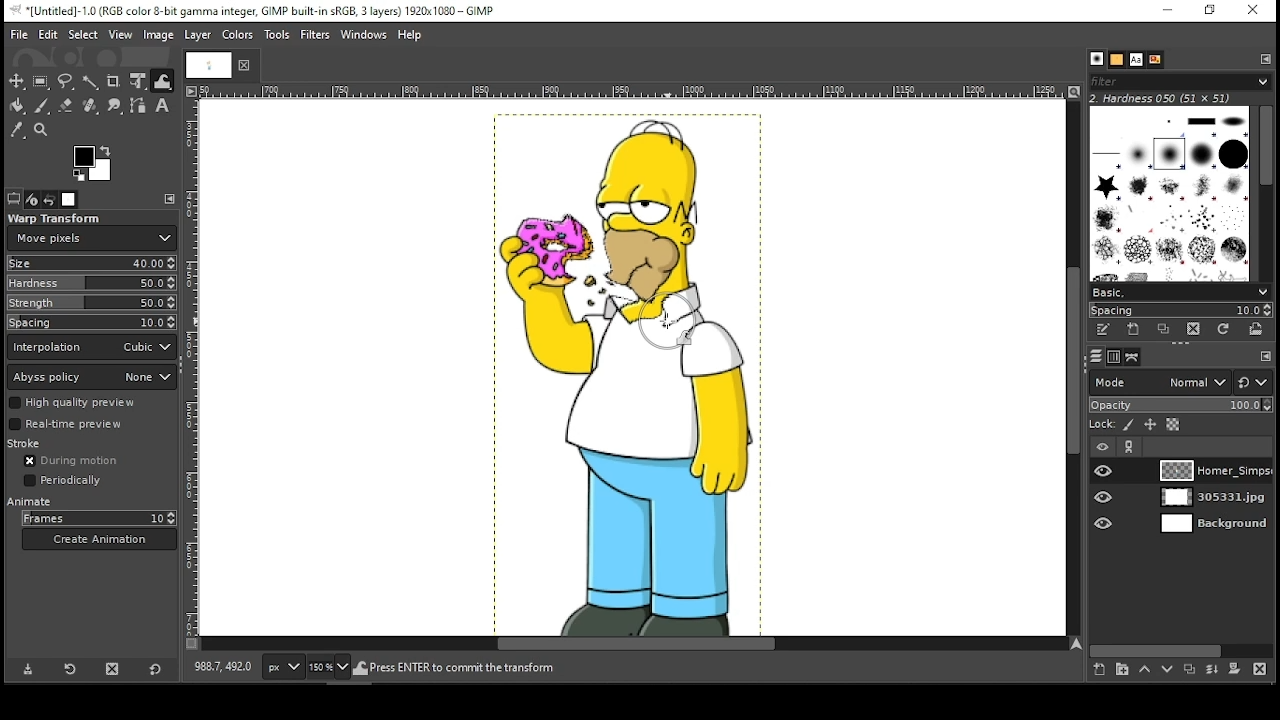 Image resolution: width=1280 pixels, height=720 pixels. What do you see at coordinates (284, 667) in the screenshot?
I see `units` at bounding box center [284, 667].